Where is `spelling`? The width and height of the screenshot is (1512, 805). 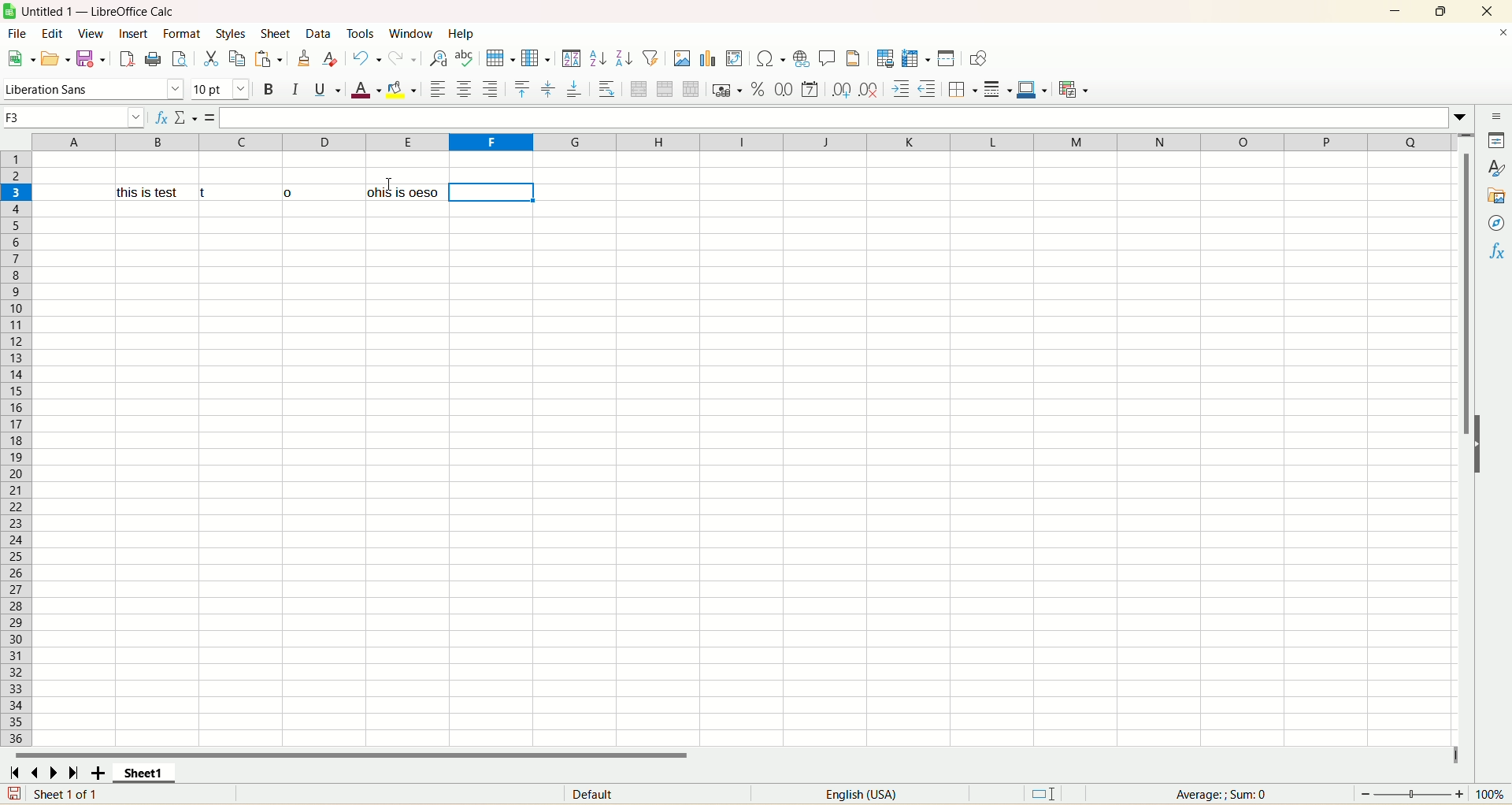 spelling is located at coordinates (465, 57).